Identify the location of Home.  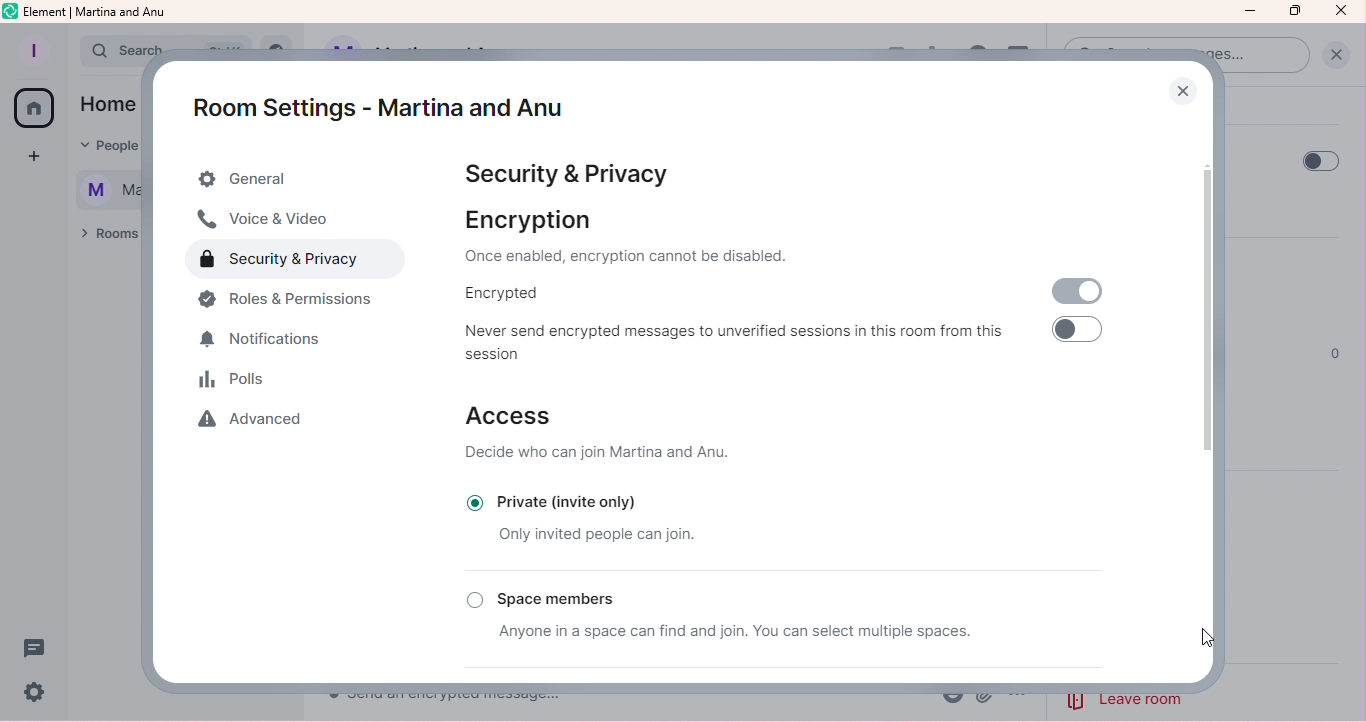
(33, 109).